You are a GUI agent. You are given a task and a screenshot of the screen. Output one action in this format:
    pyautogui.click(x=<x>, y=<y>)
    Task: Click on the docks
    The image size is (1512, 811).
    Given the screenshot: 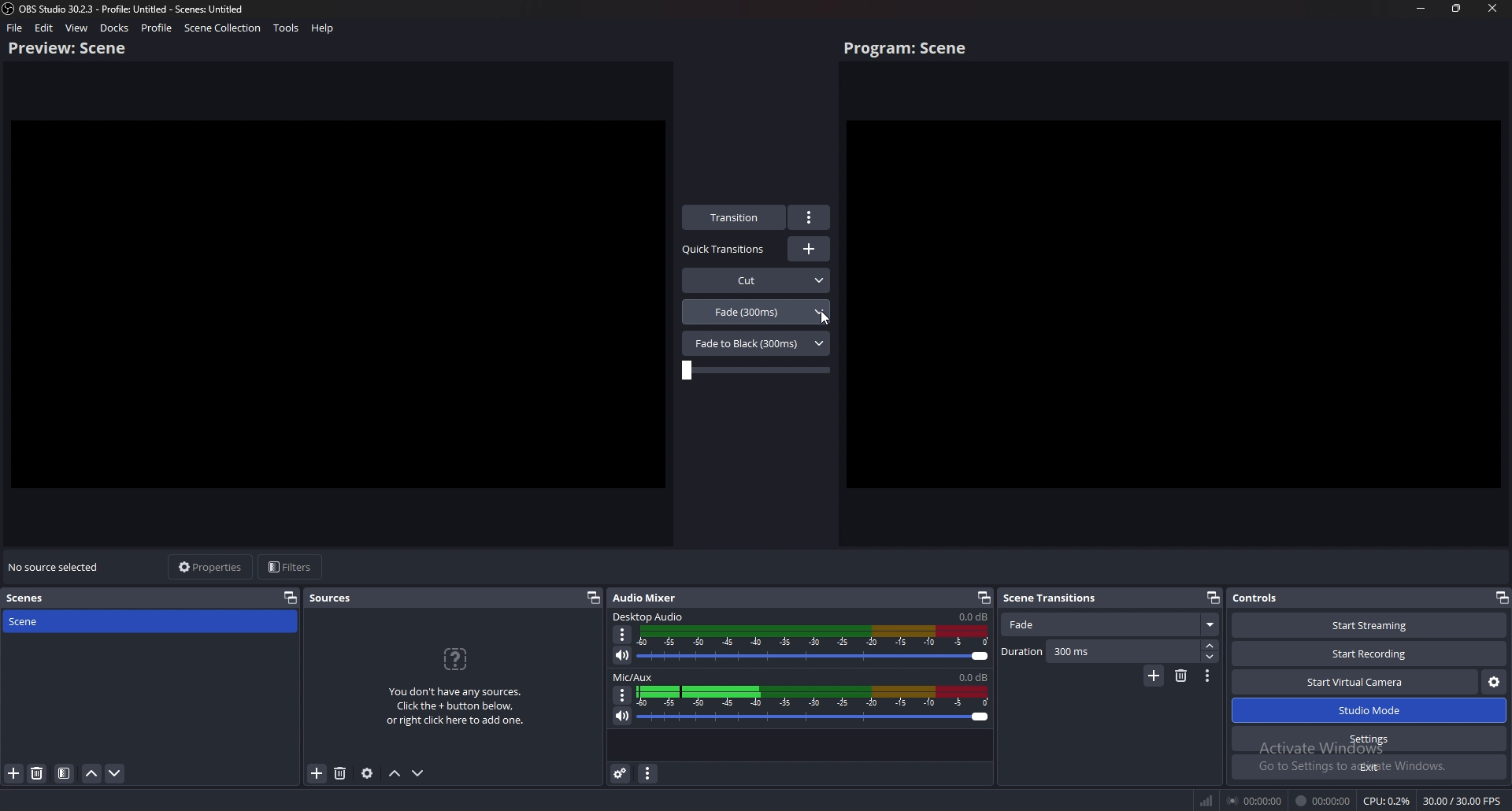 What is the action you would take?
    pyautogui.click(x=114, y=28)
    